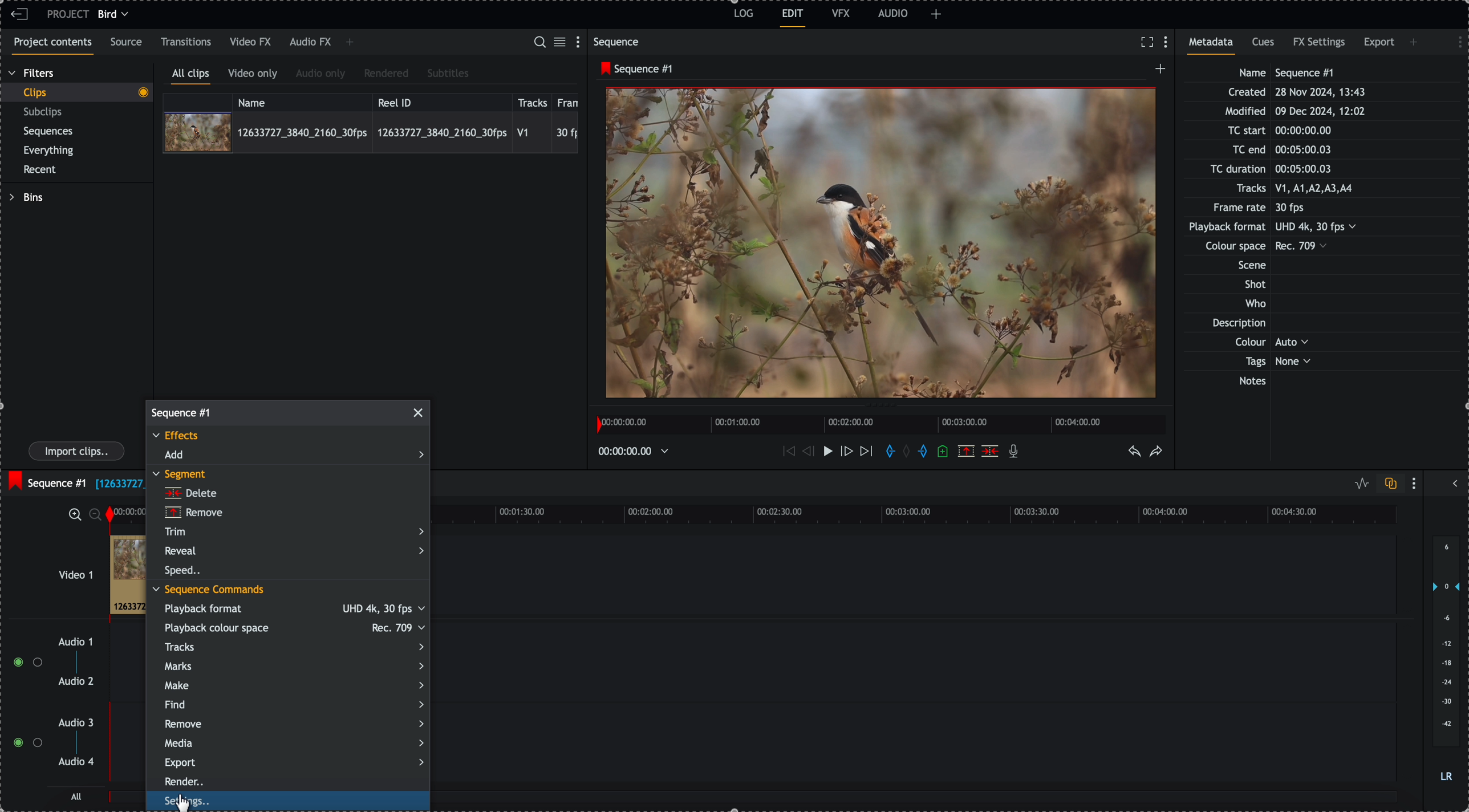  Describe the element at coordinates (1454, 40) in the screenshot. I see `show settings menu` at that location.